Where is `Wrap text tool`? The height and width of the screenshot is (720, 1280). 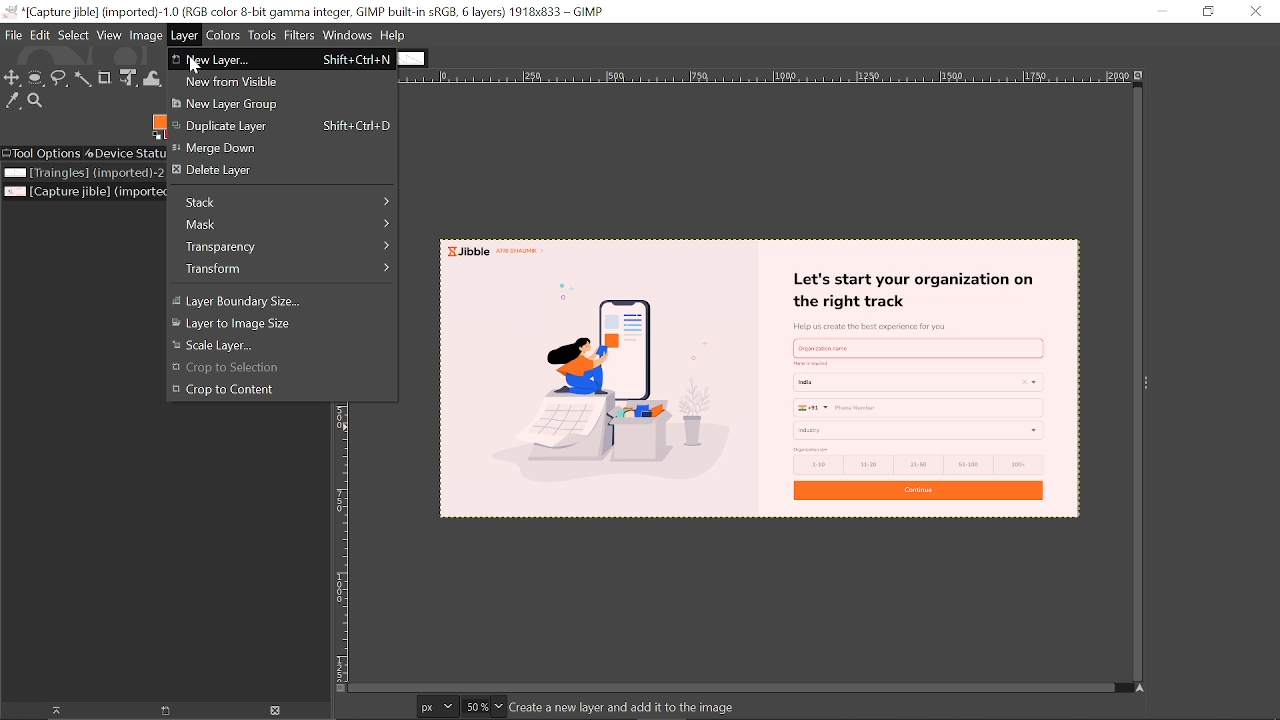 Wrap text tool is located at coordinates (151, 76).